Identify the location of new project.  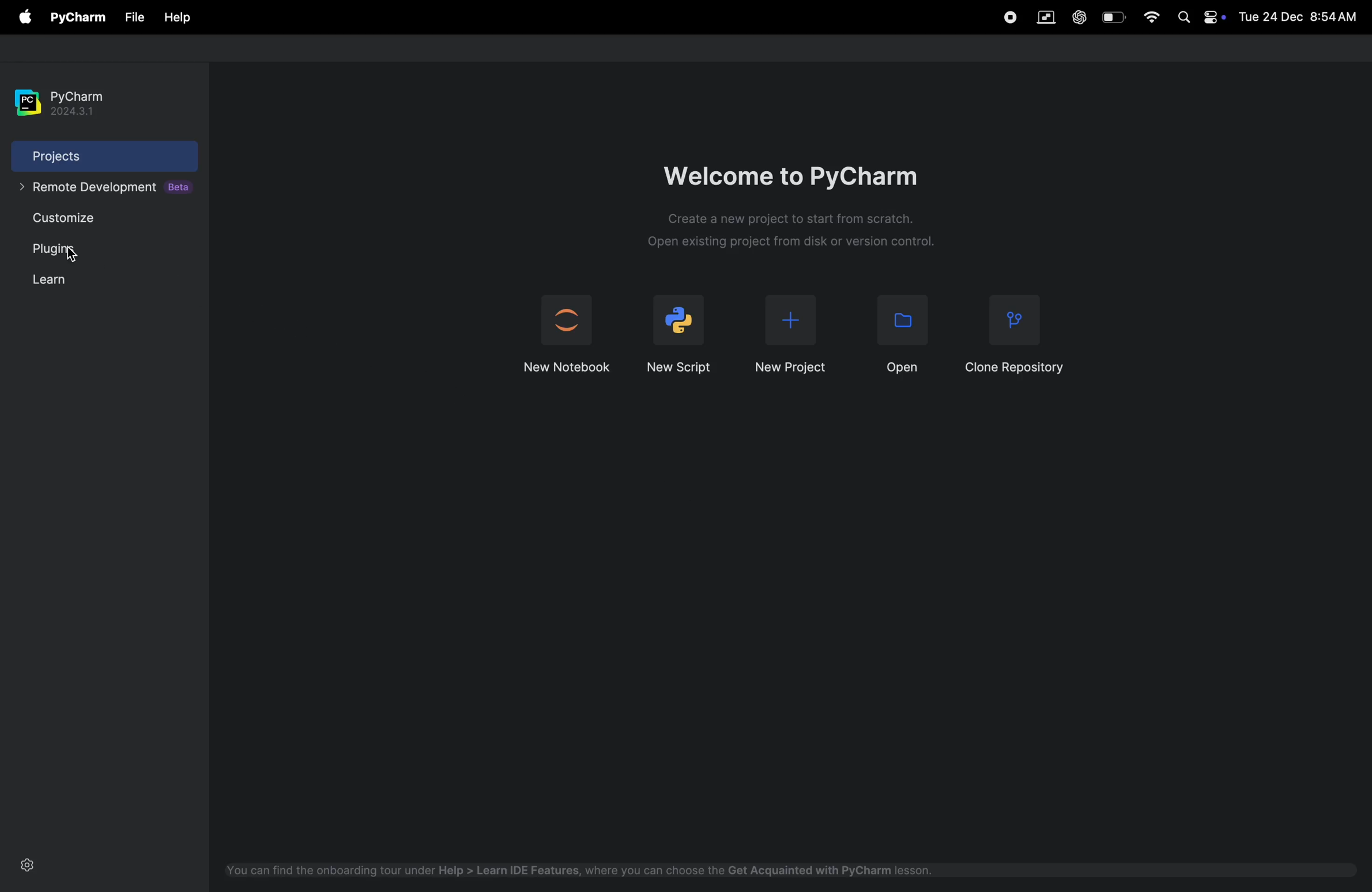
(795, 330).